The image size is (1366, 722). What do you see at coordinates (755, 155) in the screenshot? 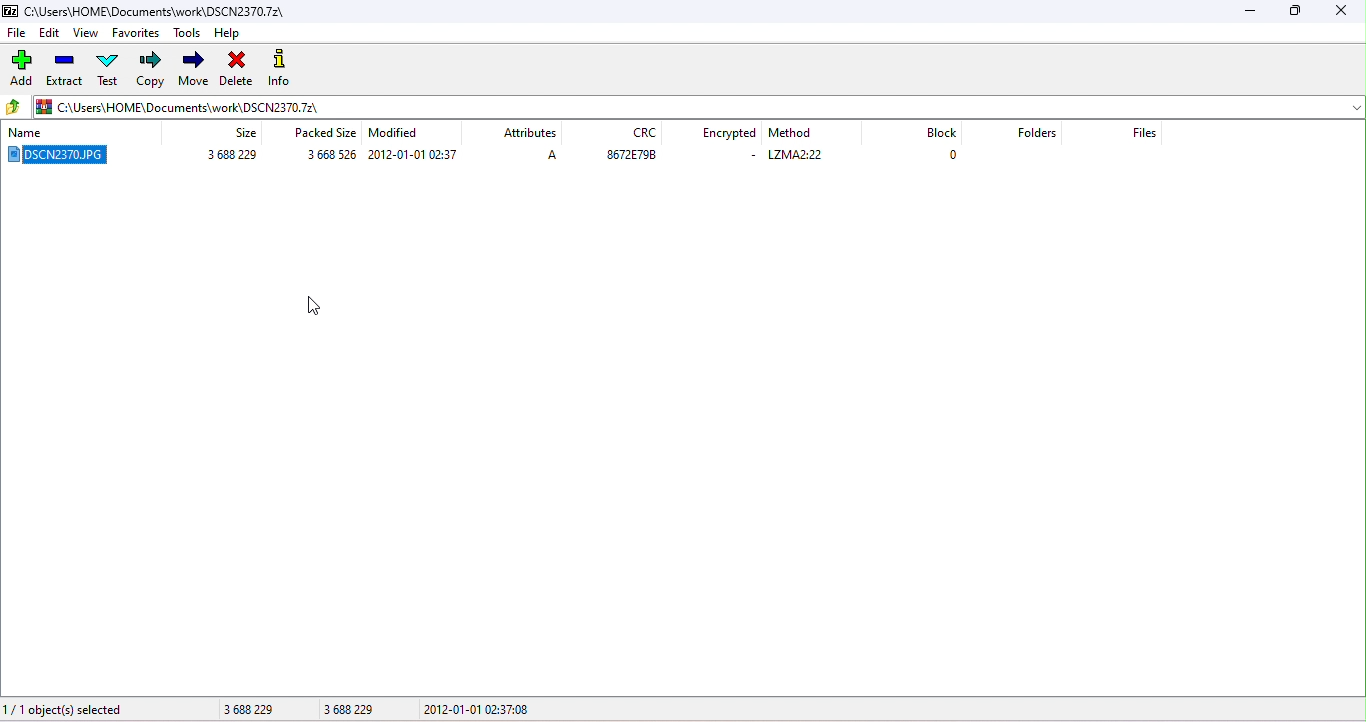
I see `-` at bounding box center [755, 155].